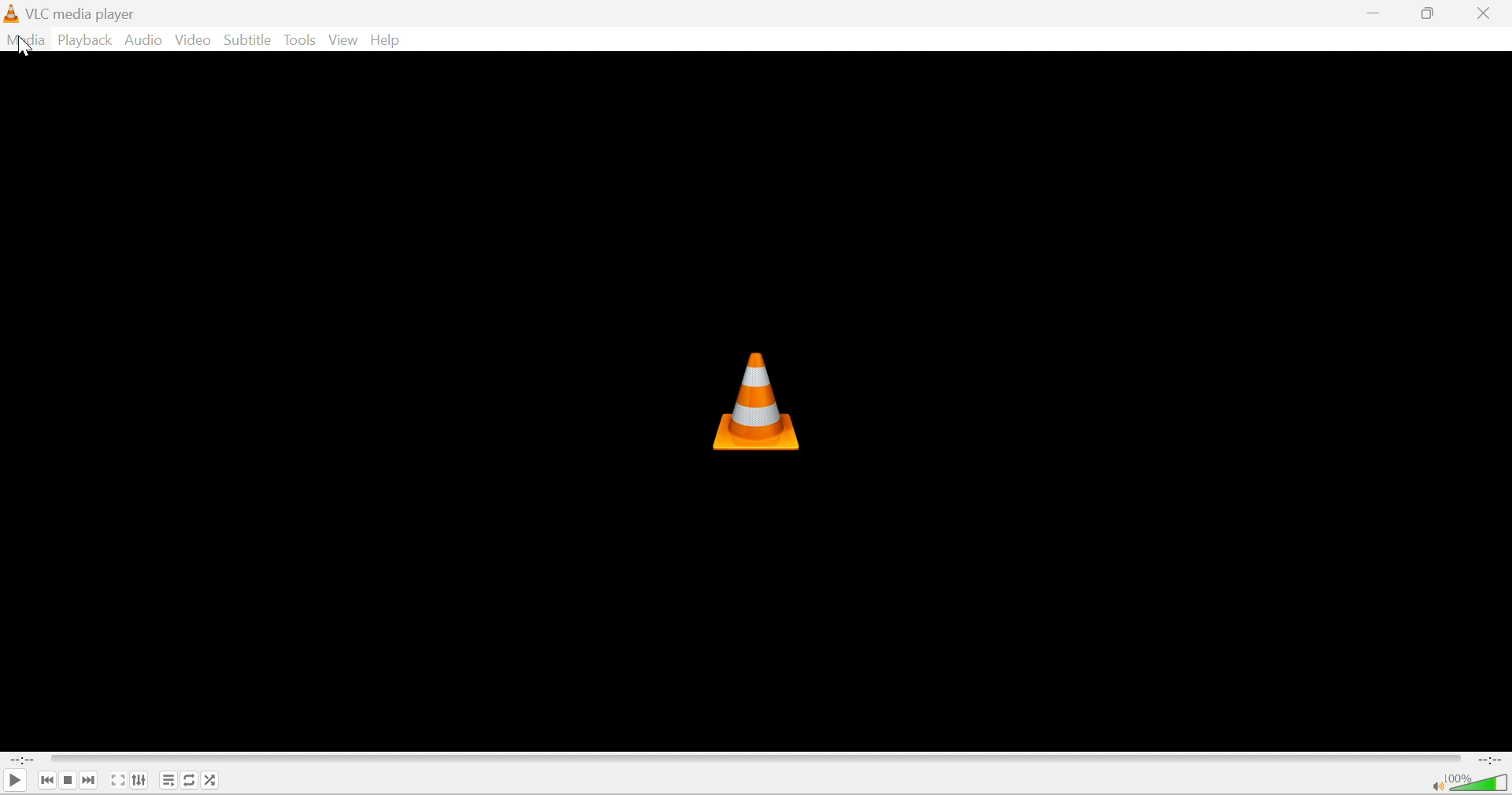 The width and height of the screenshot is (1512, 795). I want to click on Next media in the playlist, skip forward when held, so click(90, 779).